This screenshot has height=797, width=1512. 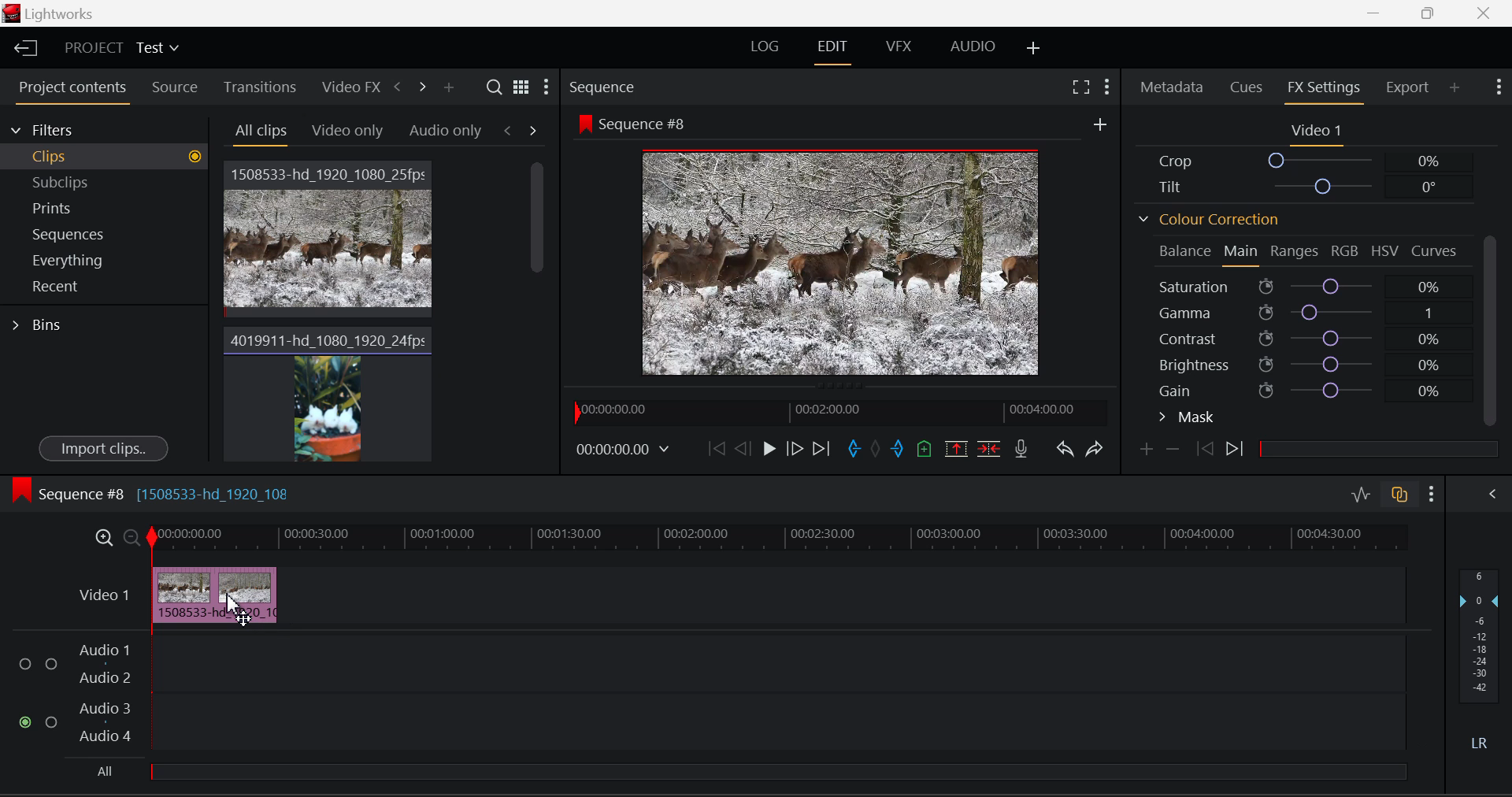 What do you see at coordinates (1430, 13) in the screenshot?
I see `Minimize` at bounding box center [1430, 13].